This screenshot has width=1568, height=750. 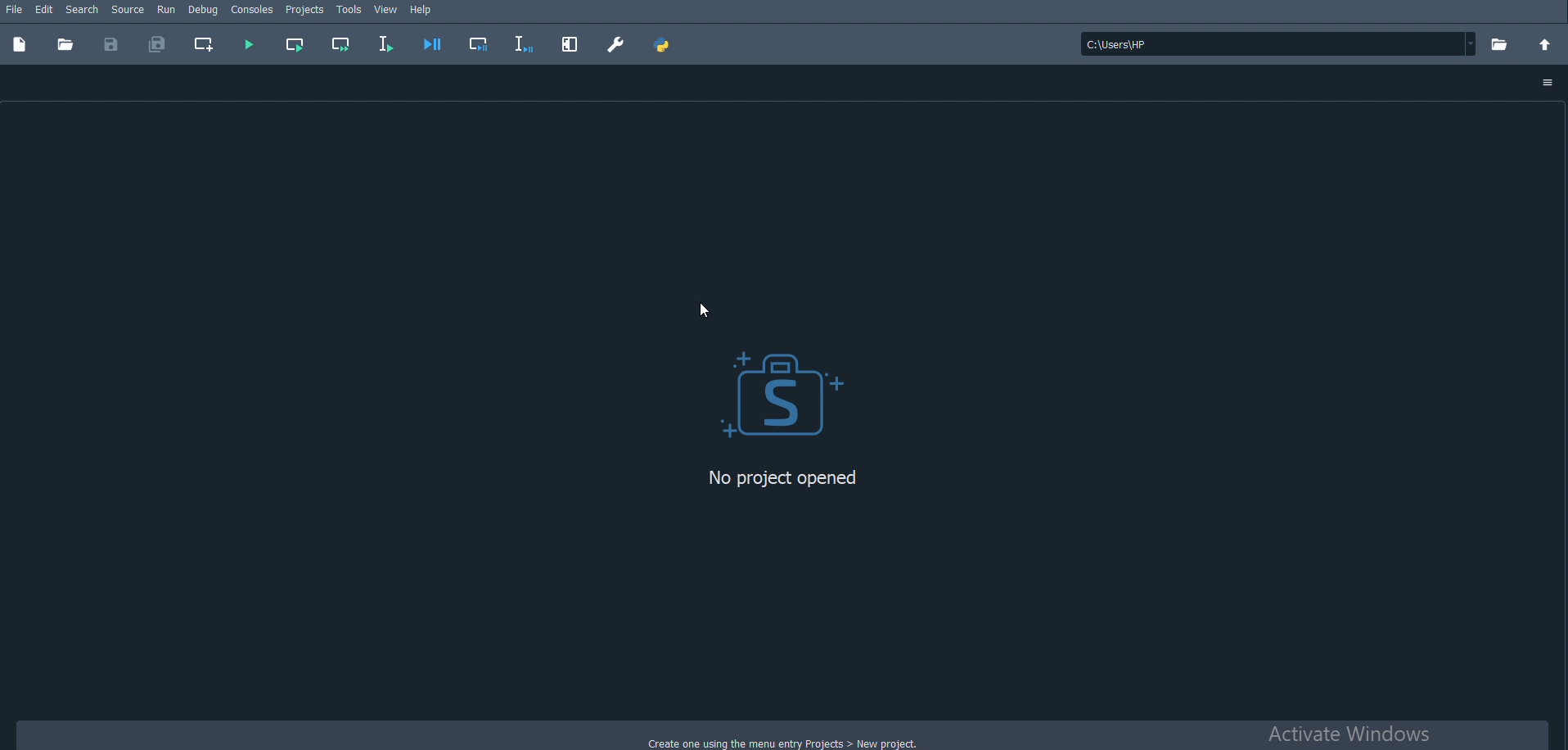 I want to click on Save all files, so click(x=160, y=44).